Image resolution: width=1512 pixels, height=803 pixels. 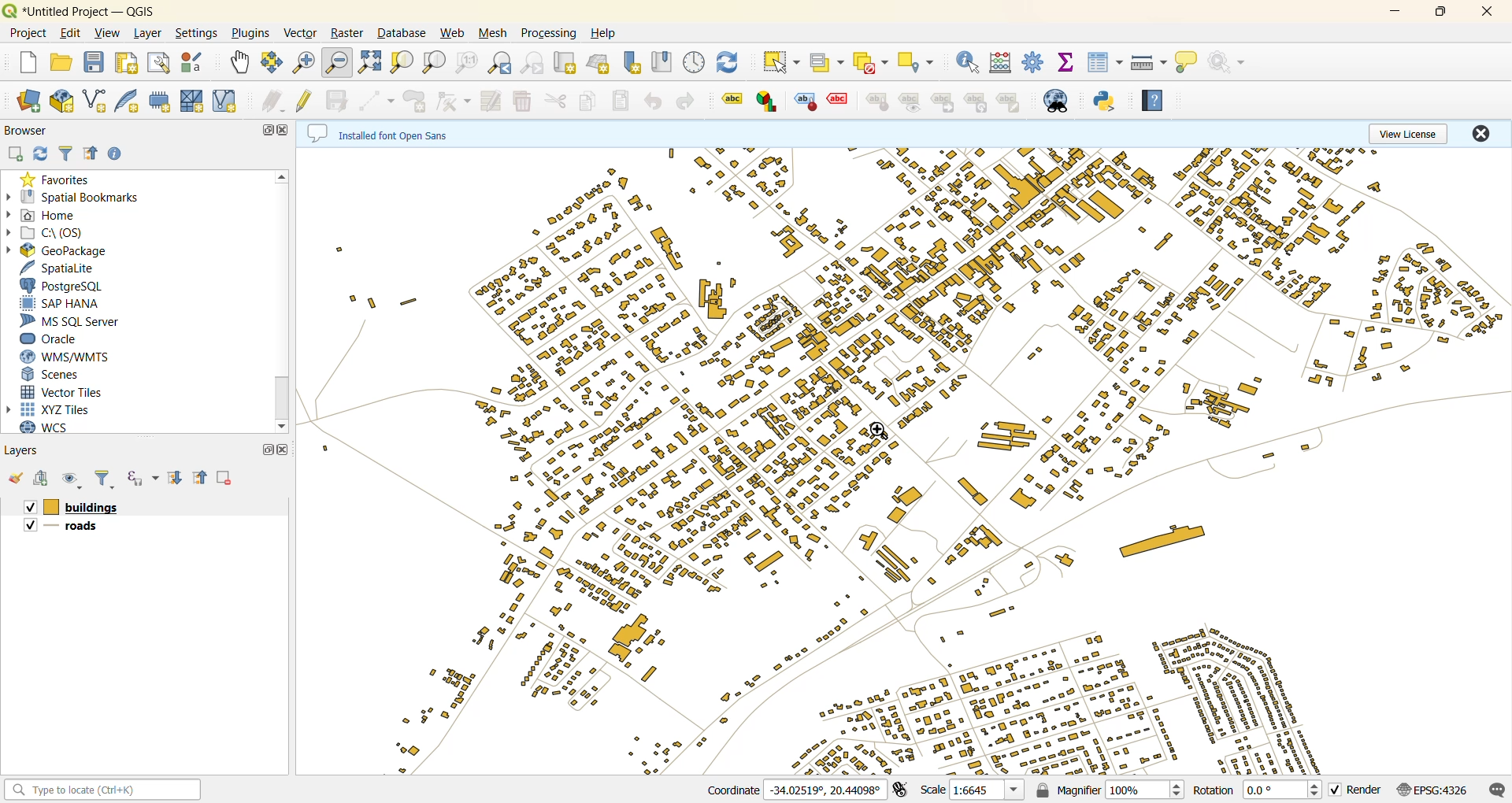 What do you see at coordinates (825, 61) in the screenshot?
I see `select value` at bounding box center [825, 61].